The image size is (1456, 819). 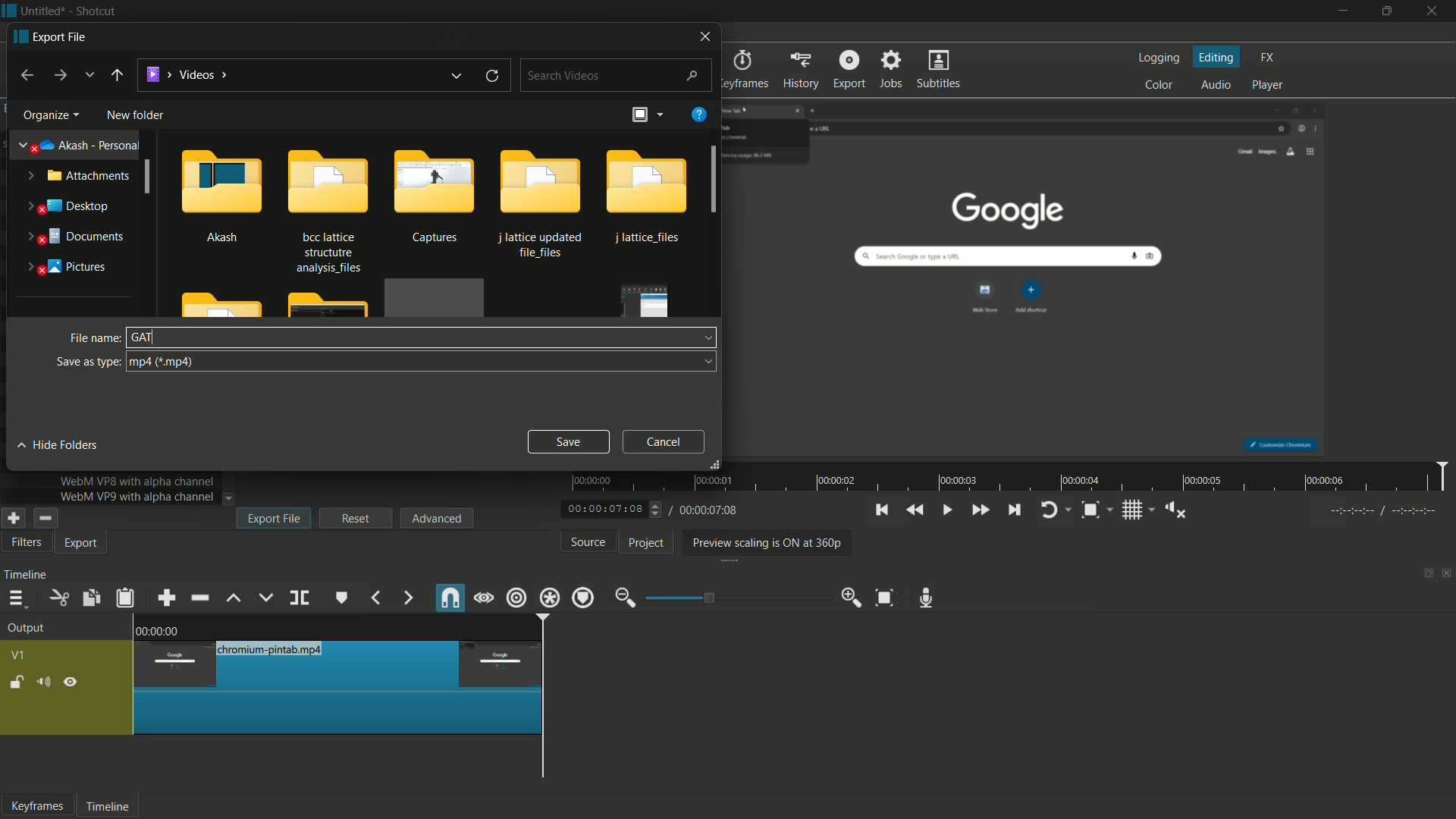 I want to click on hide, so click(x=71, y=685).